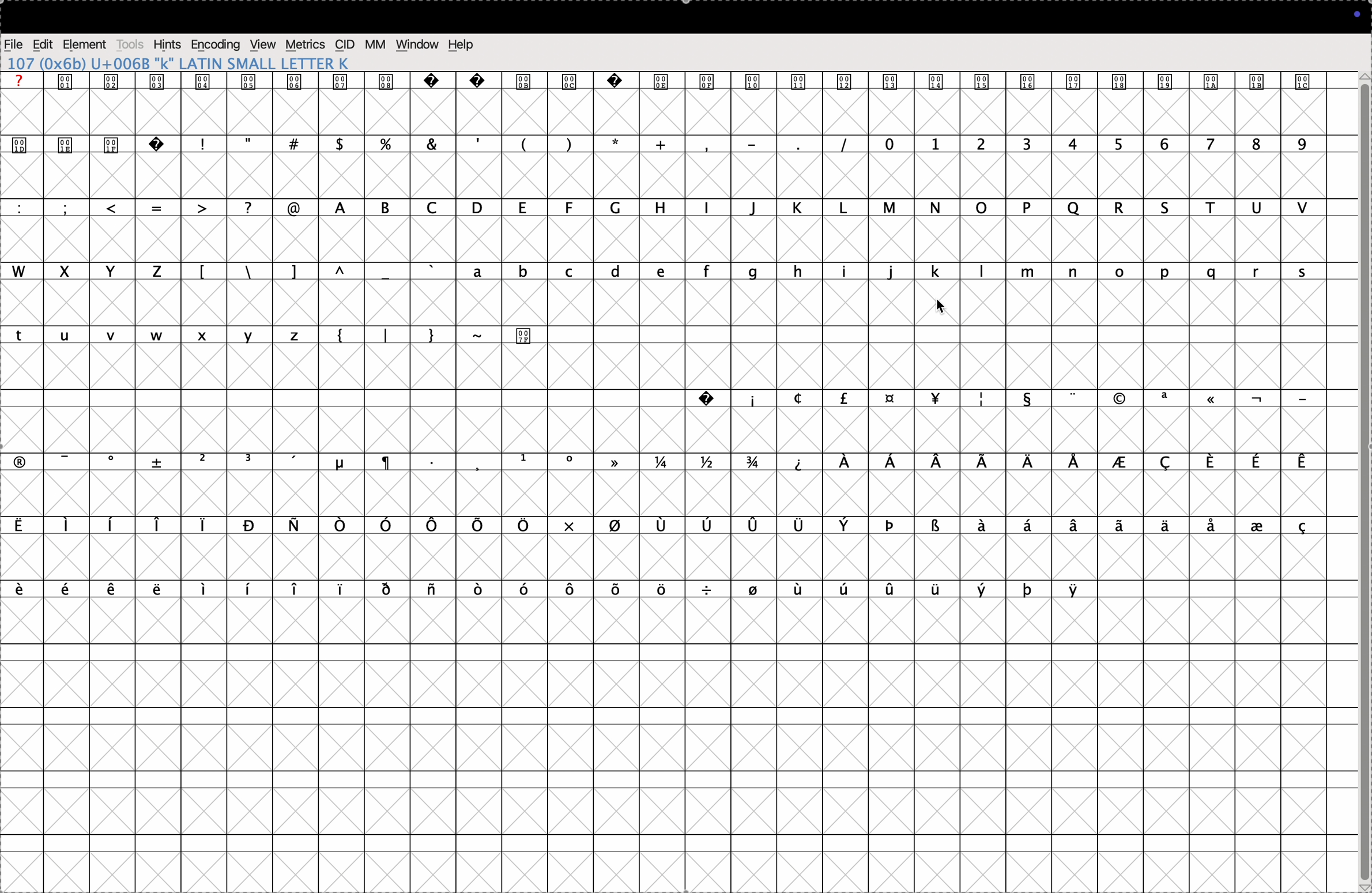 The image size is (1372, 893). What do you see at coordinates (845, 208) in the screenshot?
I see `l` at bounding box center [845, 208].